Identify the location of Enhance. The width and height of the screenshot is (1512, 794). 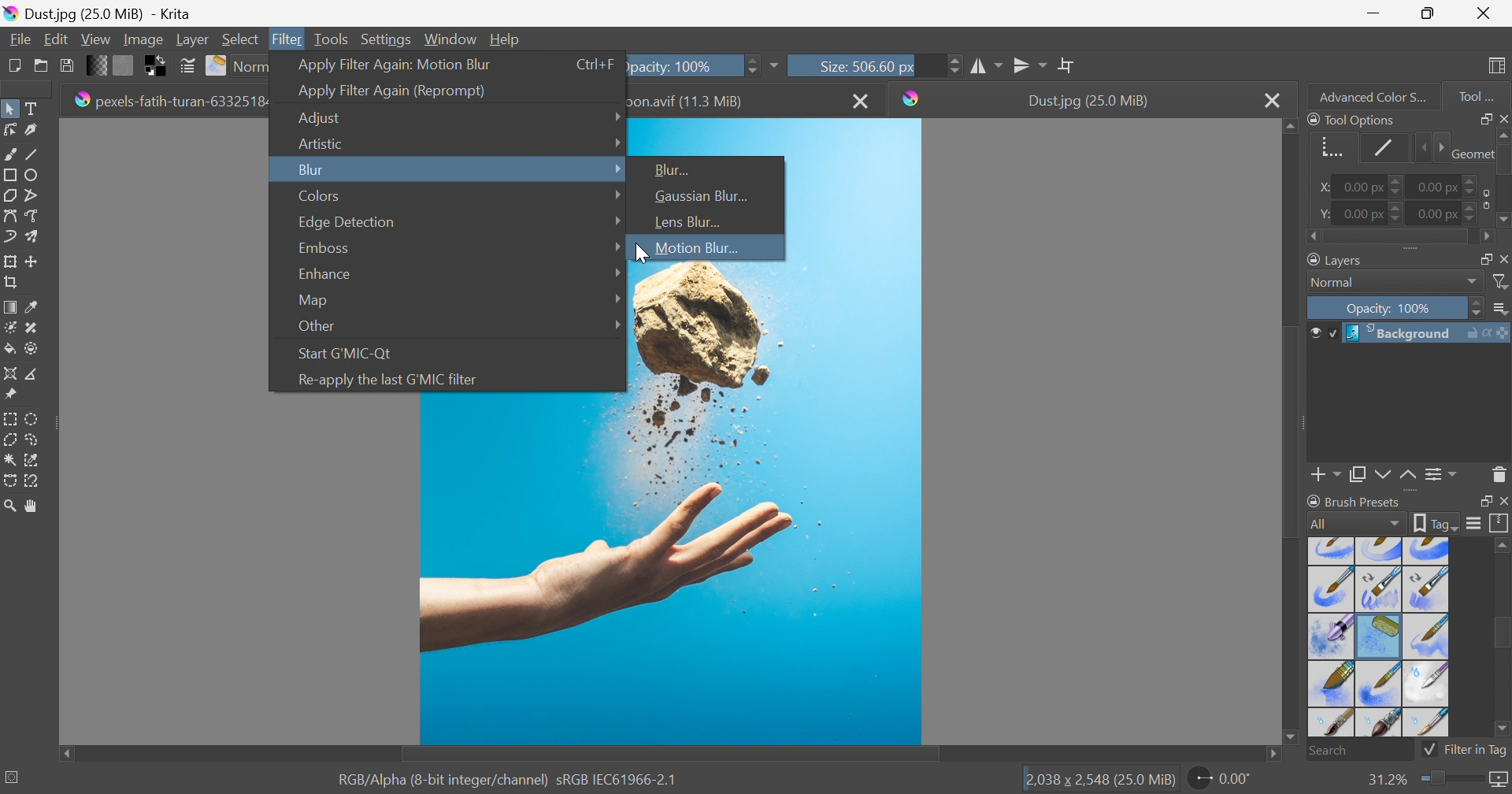
(322, 274).